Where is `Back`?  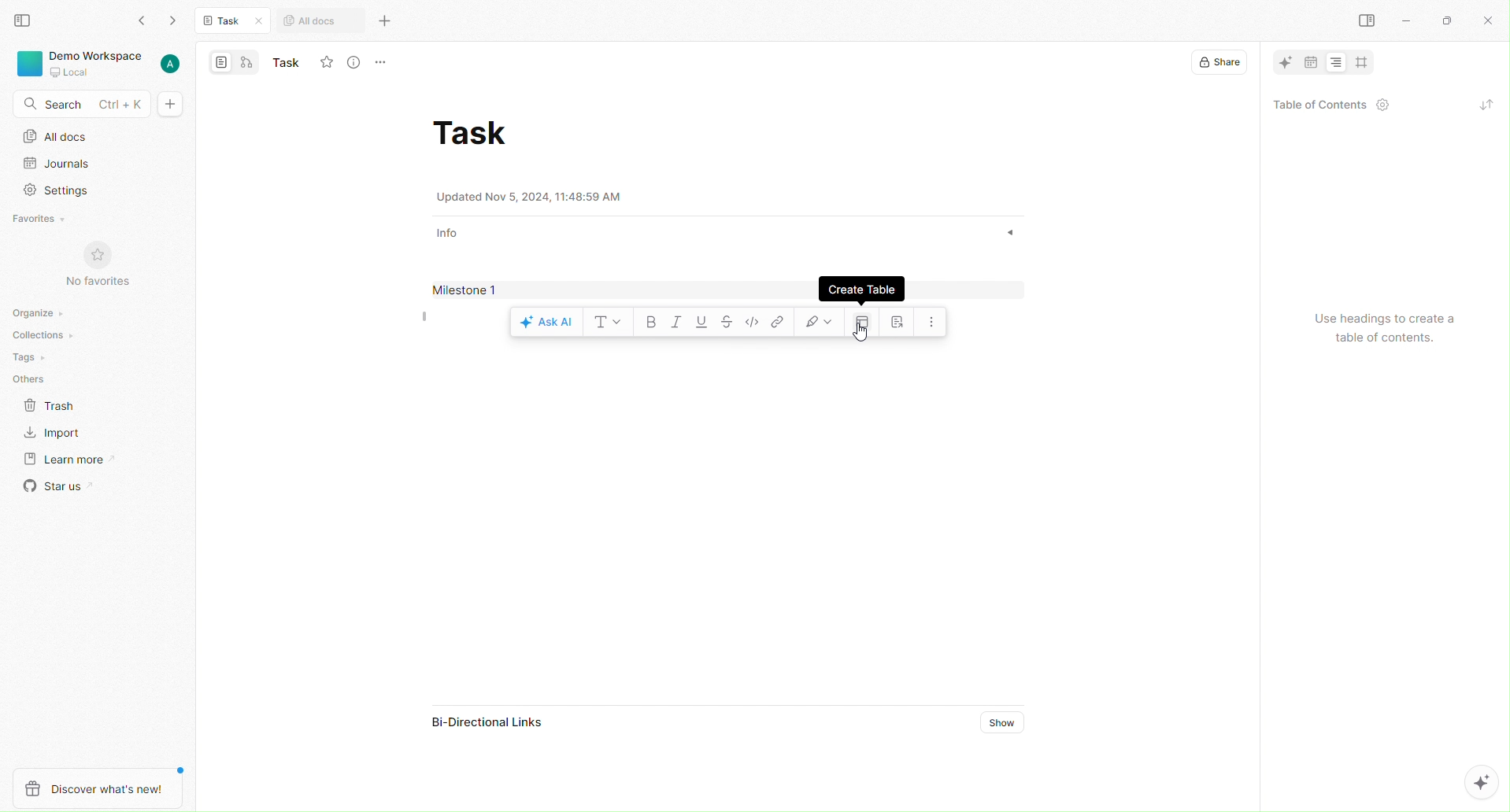 Back is located at coordinates (143, 20).